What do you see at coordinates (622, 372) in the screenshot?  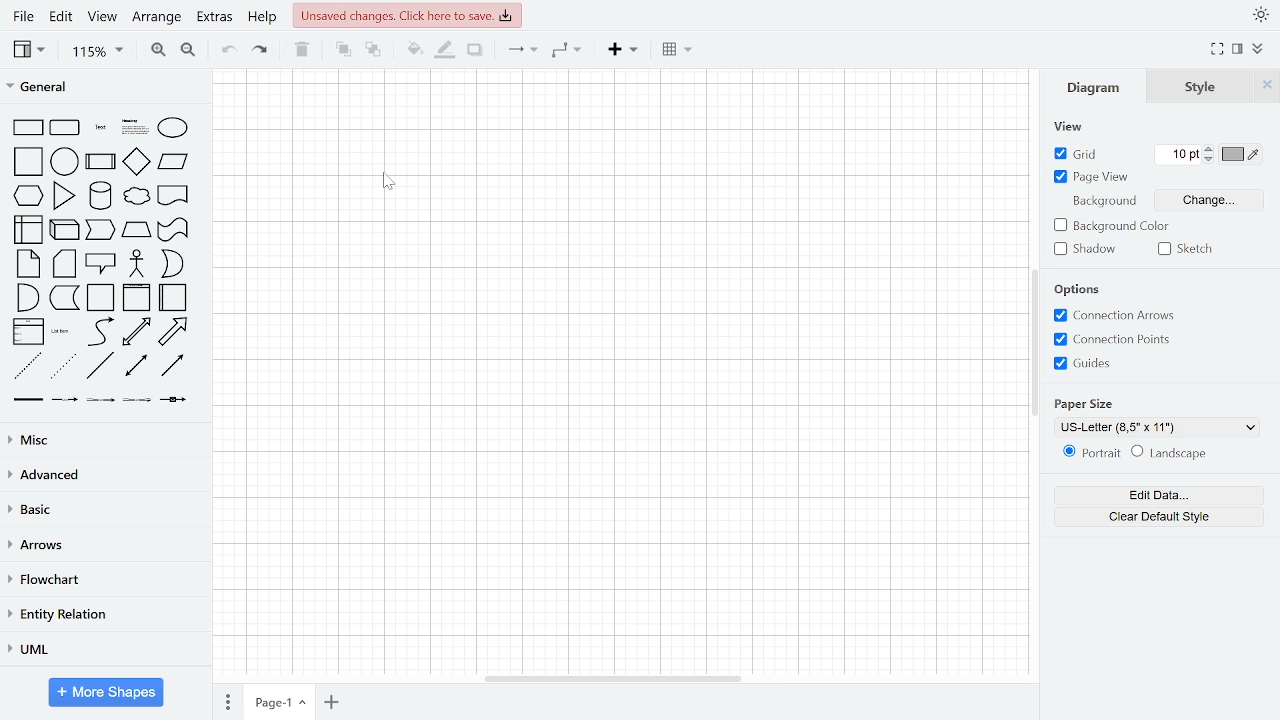 I see `grid visibility enabled in the canvas` at bounding box center [622, 372].